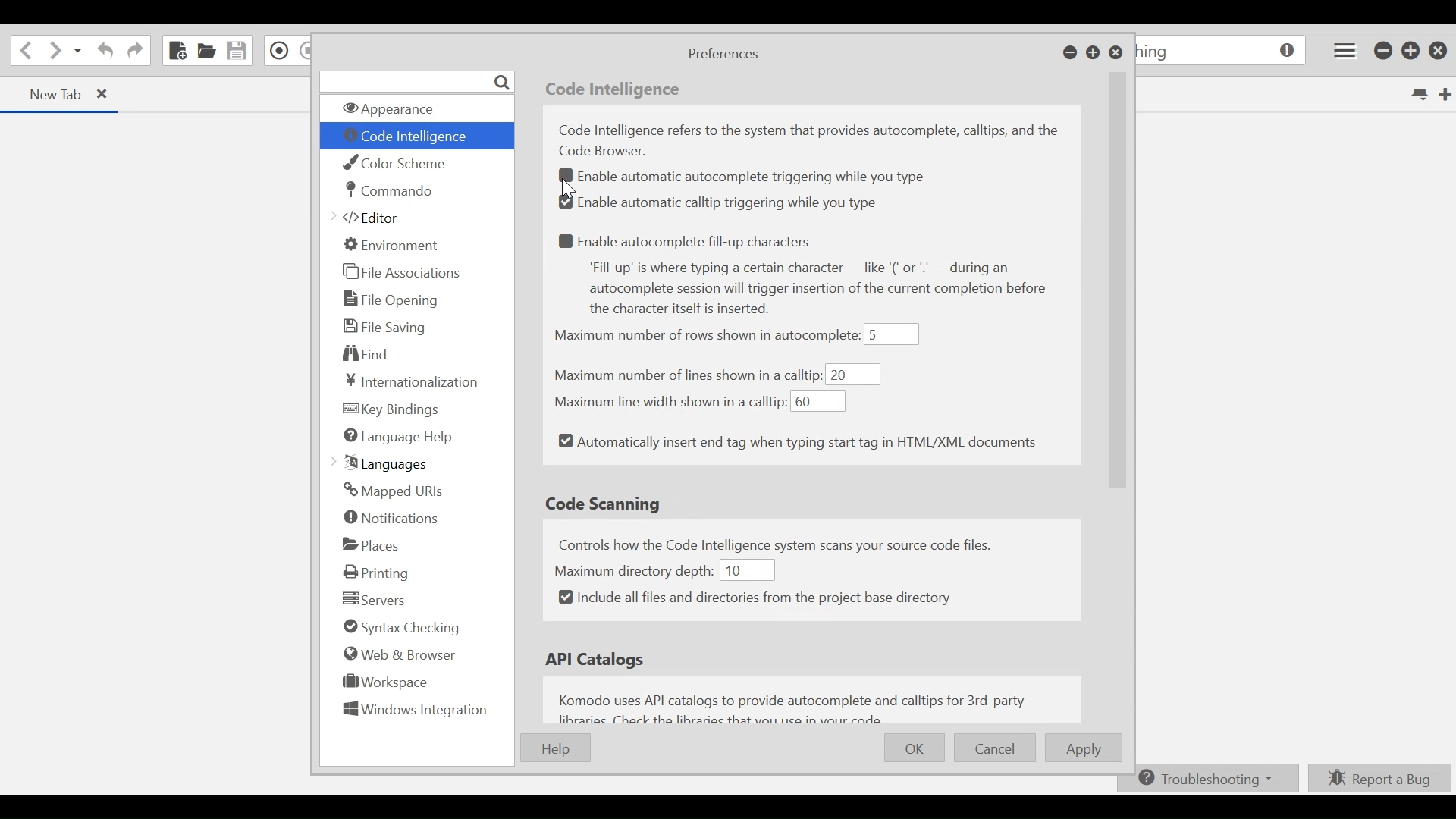 Image resolution: width=1456 pixels, height=819 pixels. I want to click on Vertical Scroll bar, so click(1119, 312).